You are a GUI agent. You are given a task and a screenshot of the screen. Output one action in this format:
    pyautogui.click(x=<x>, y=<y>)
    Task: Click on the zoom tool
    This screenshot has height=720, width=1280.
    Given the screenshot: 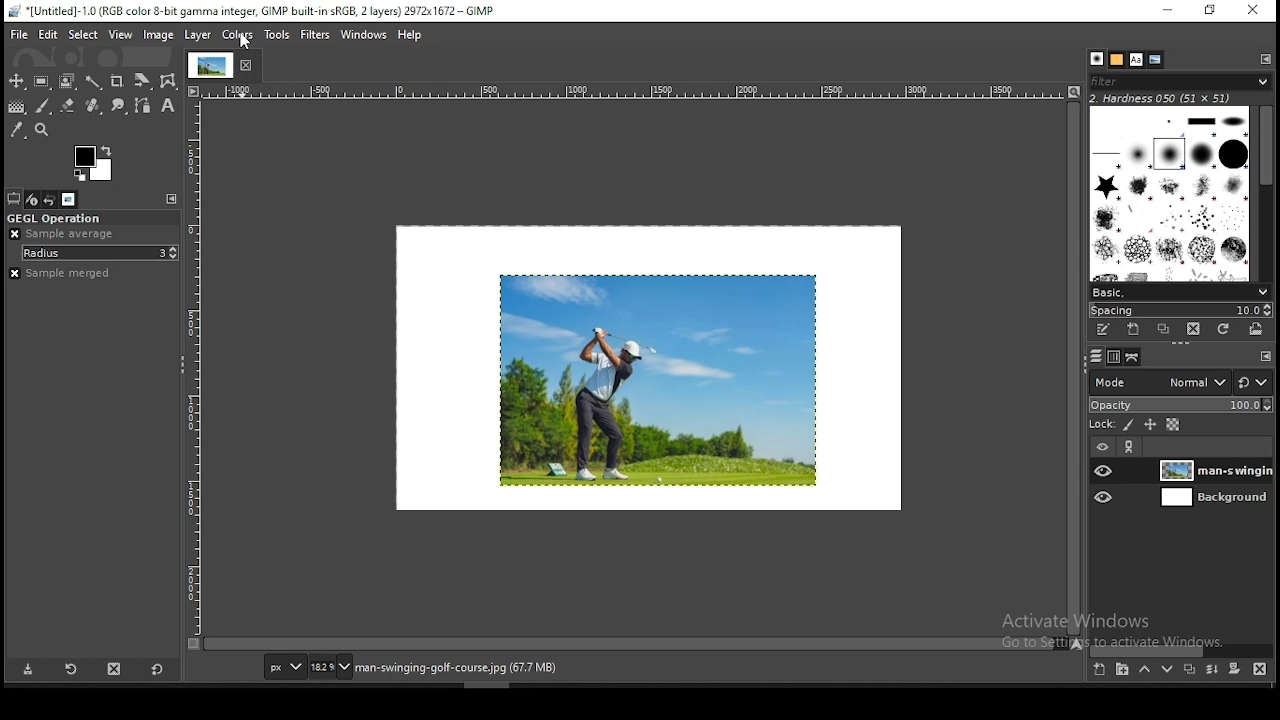 What is the action you would take?
    pyautogui.click(x=43, y=131)
    